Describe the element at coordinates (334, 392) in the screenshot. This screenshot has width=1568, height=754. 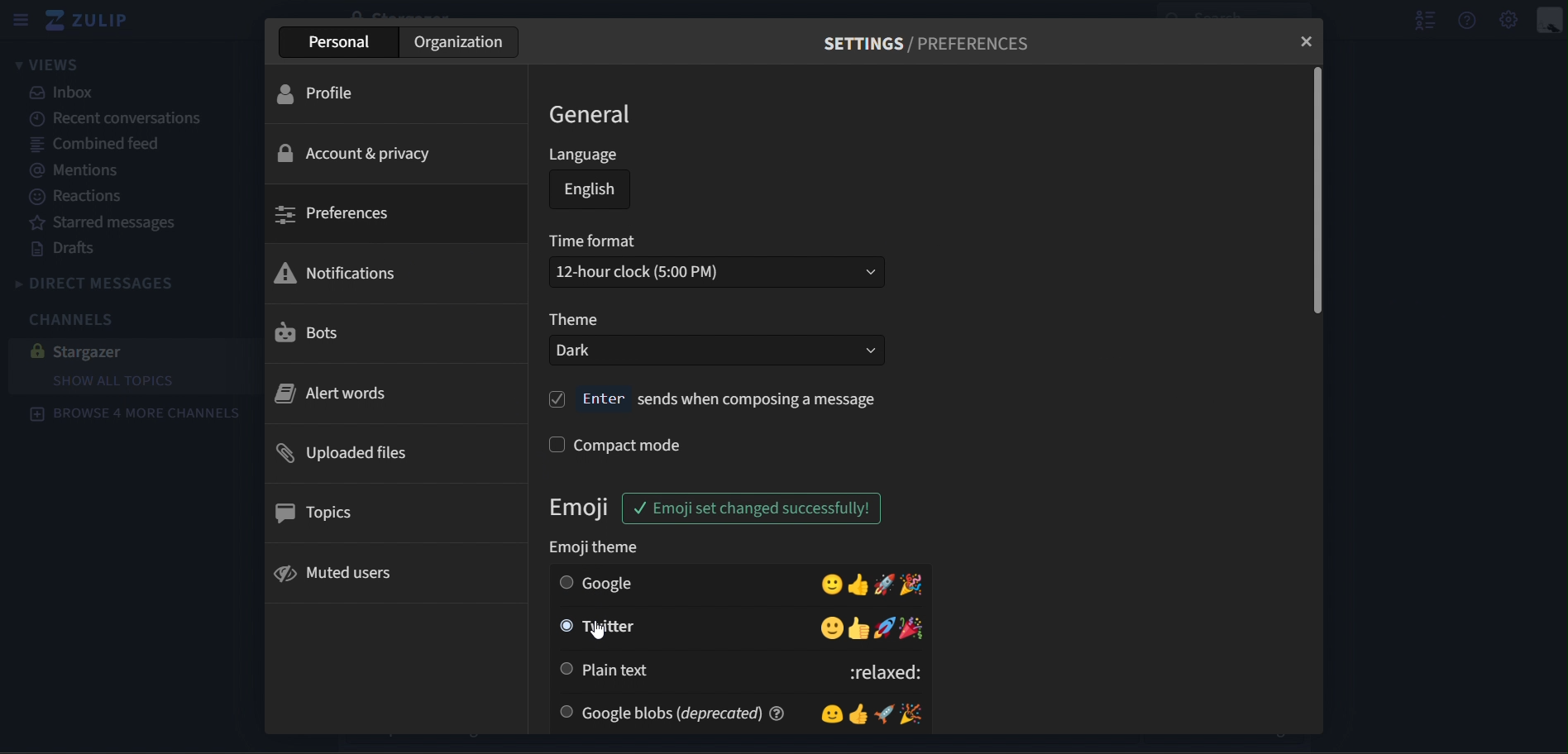
I see `alert words` at that location.